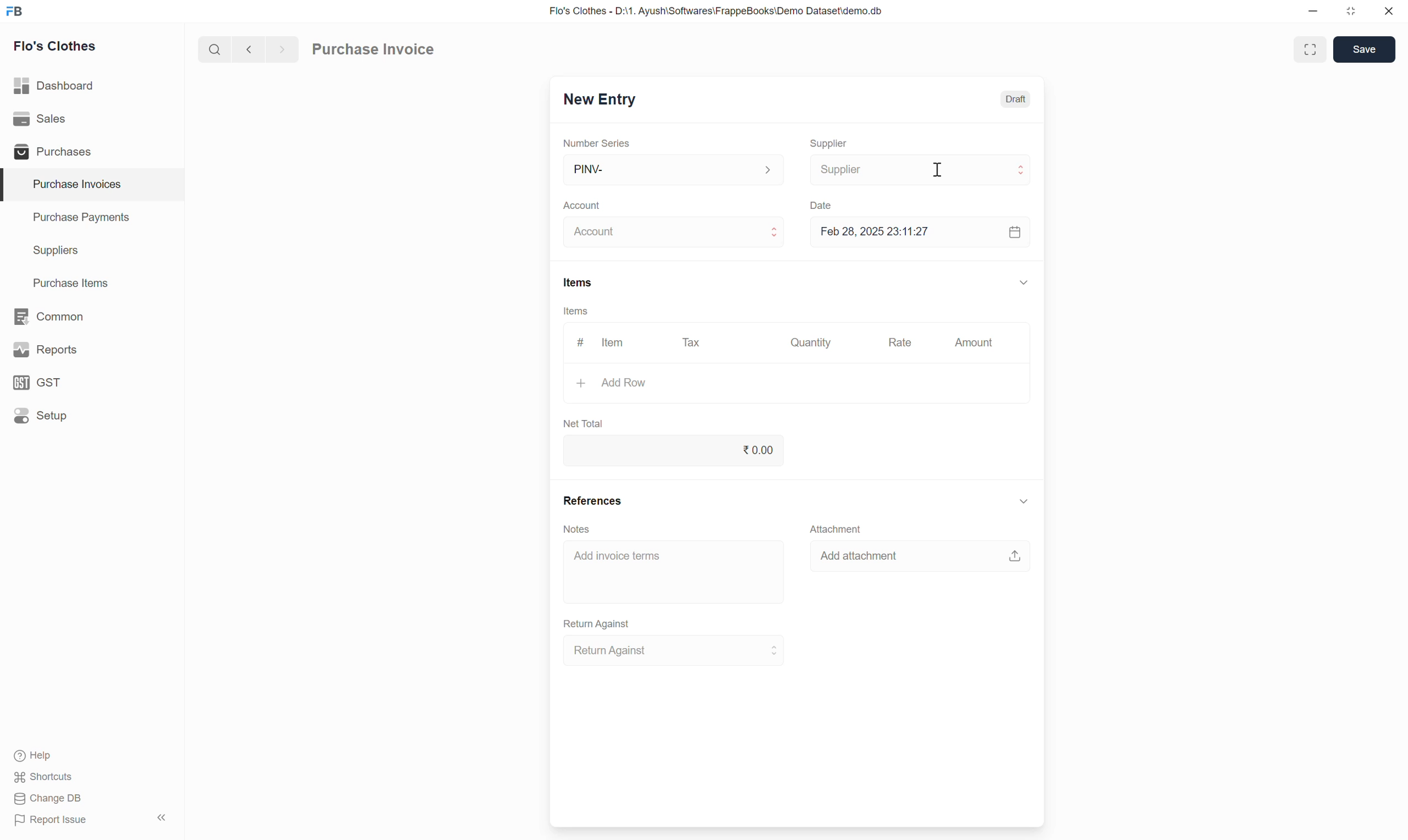 This screenshot has height=840, width=1408. What do you see at coordinates (1025, 282) in the screenshot?
I see `Collapse` at bounding box center [1025, 282].